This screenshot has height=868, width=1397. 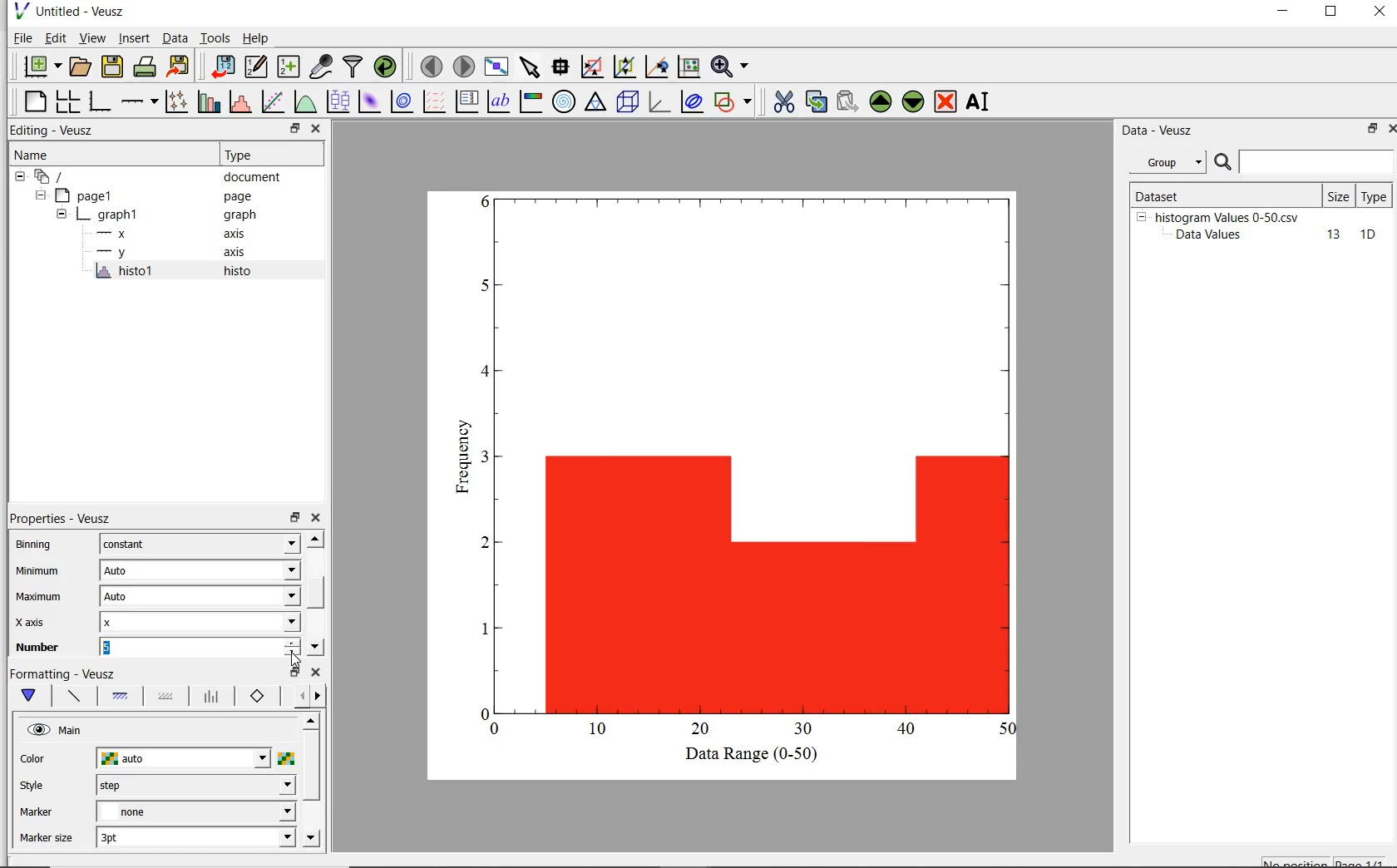 What do you see at coordinates (318, 518) in the screenshot?
I see `close` at bounding box center [318, 518].